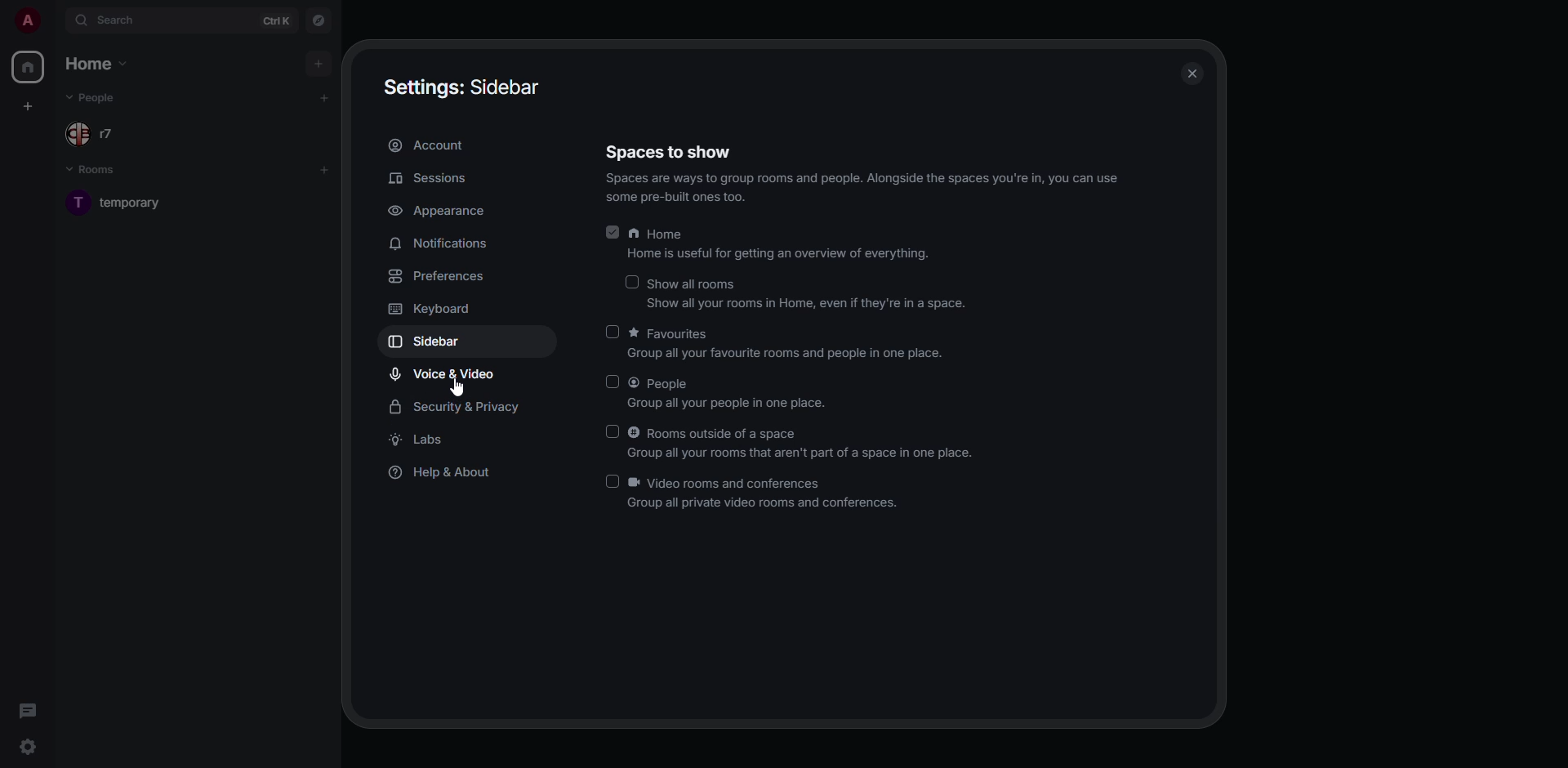 Image resolution: width=1568 pixels, height=768 pixels. I want to click on threads, so click(29, 711).